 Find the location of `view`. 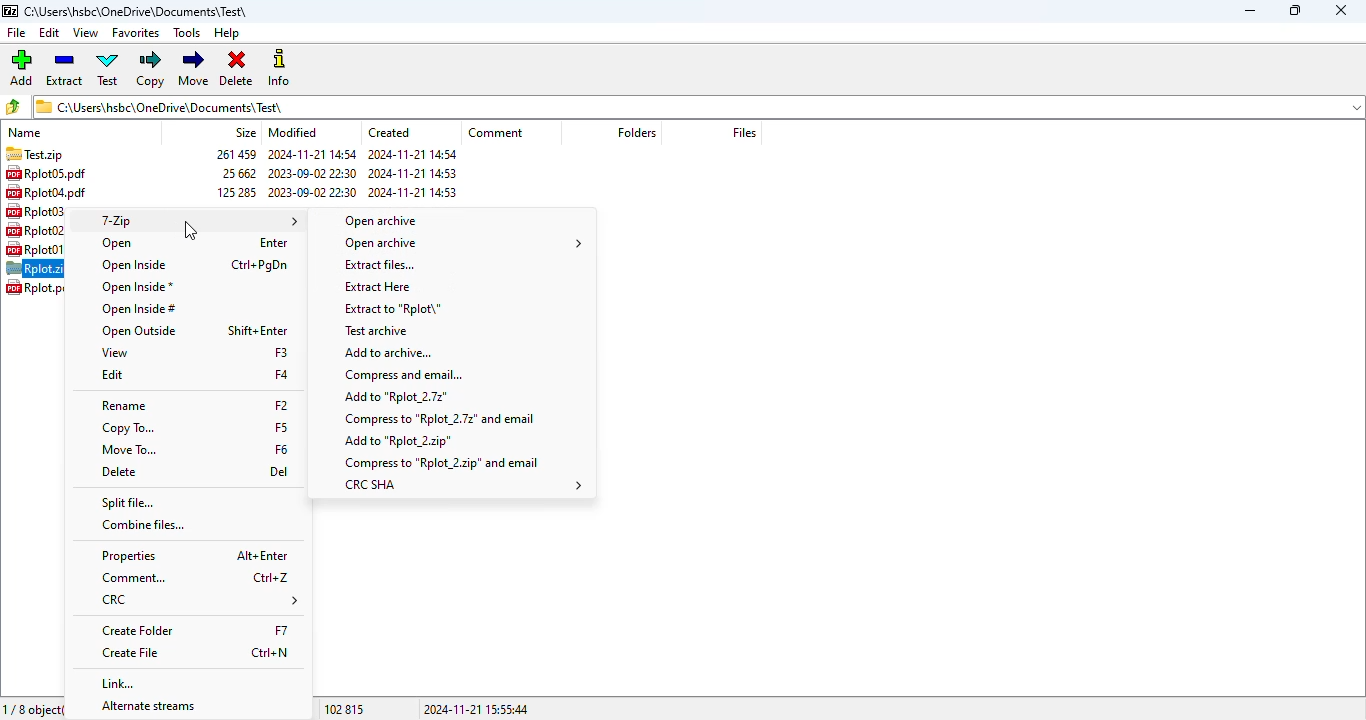

view is located at coordinates (115, 353).